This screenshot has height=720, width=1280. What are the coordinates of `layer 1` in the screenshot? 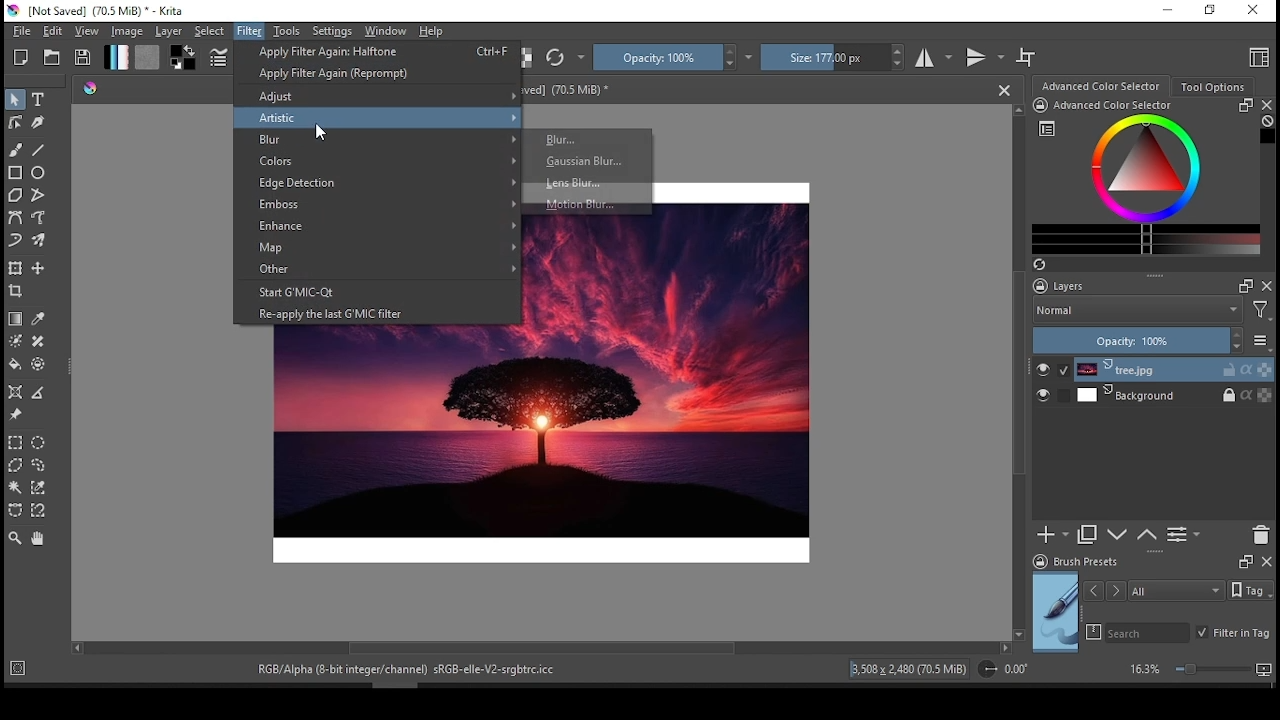 It's located at (1172, 369).